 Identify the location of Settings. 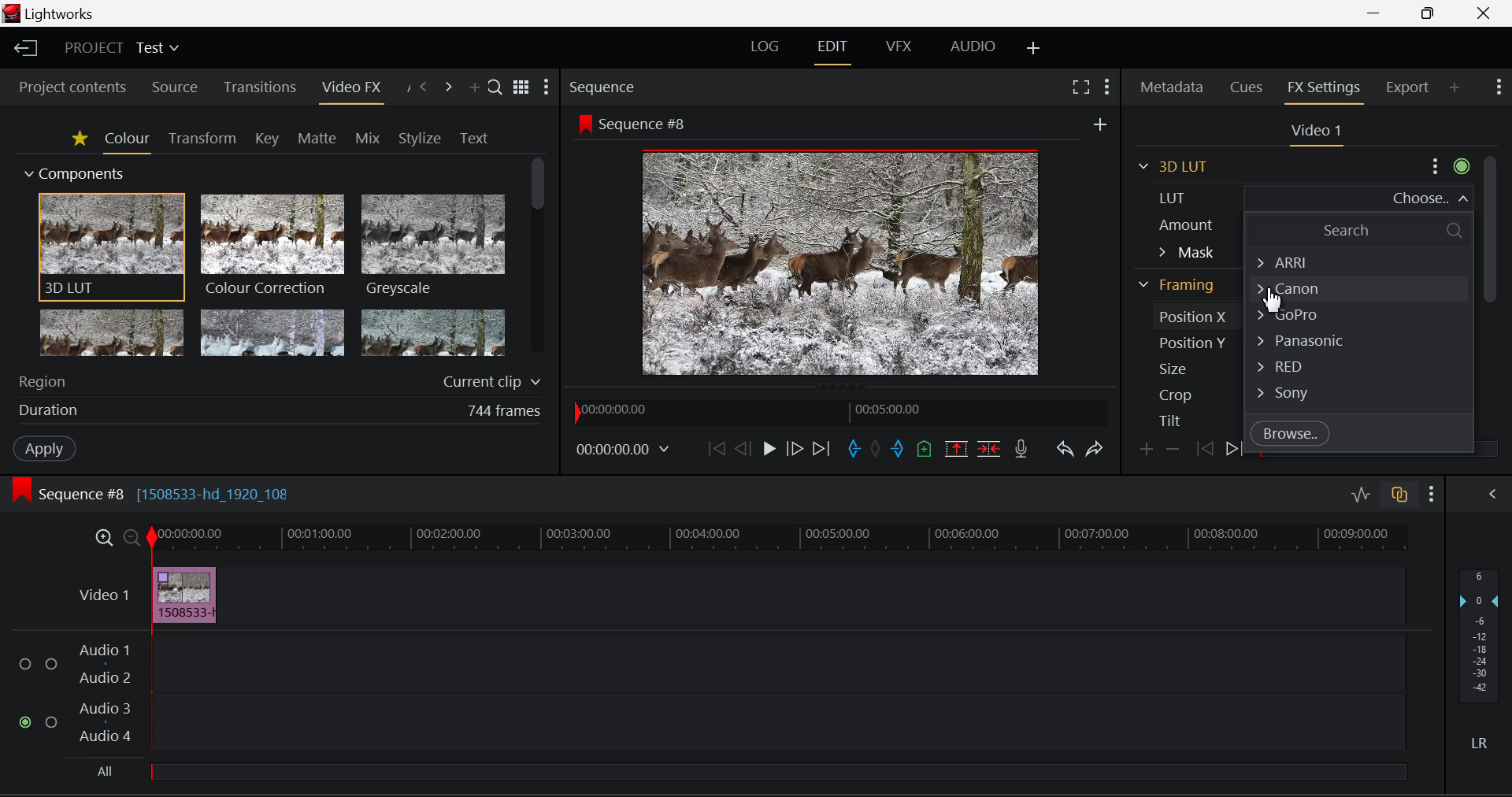
(1451, 165).